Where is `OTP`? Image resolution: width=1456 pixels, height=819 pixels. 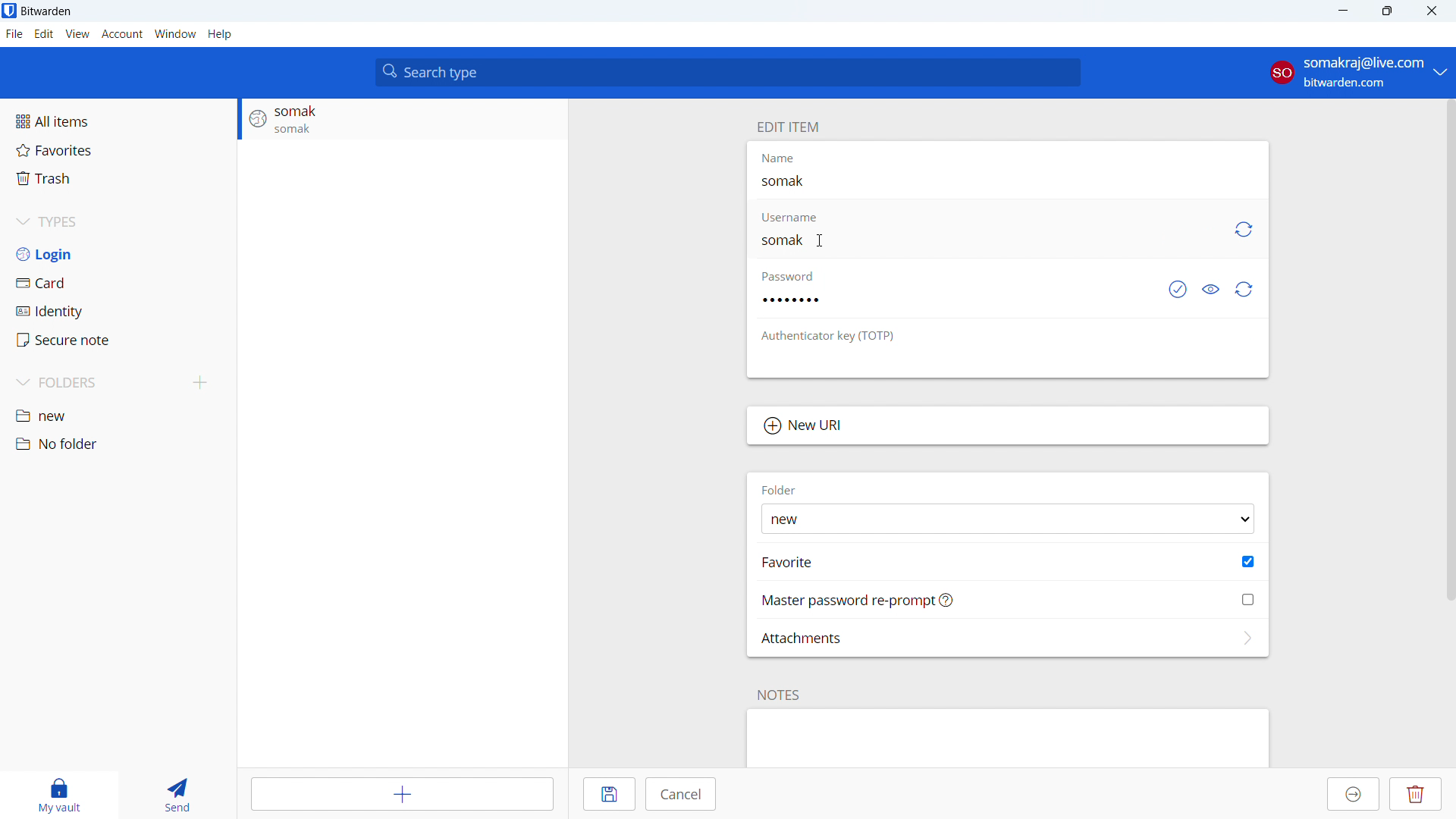 OTP is located at coordinates (838, 337).